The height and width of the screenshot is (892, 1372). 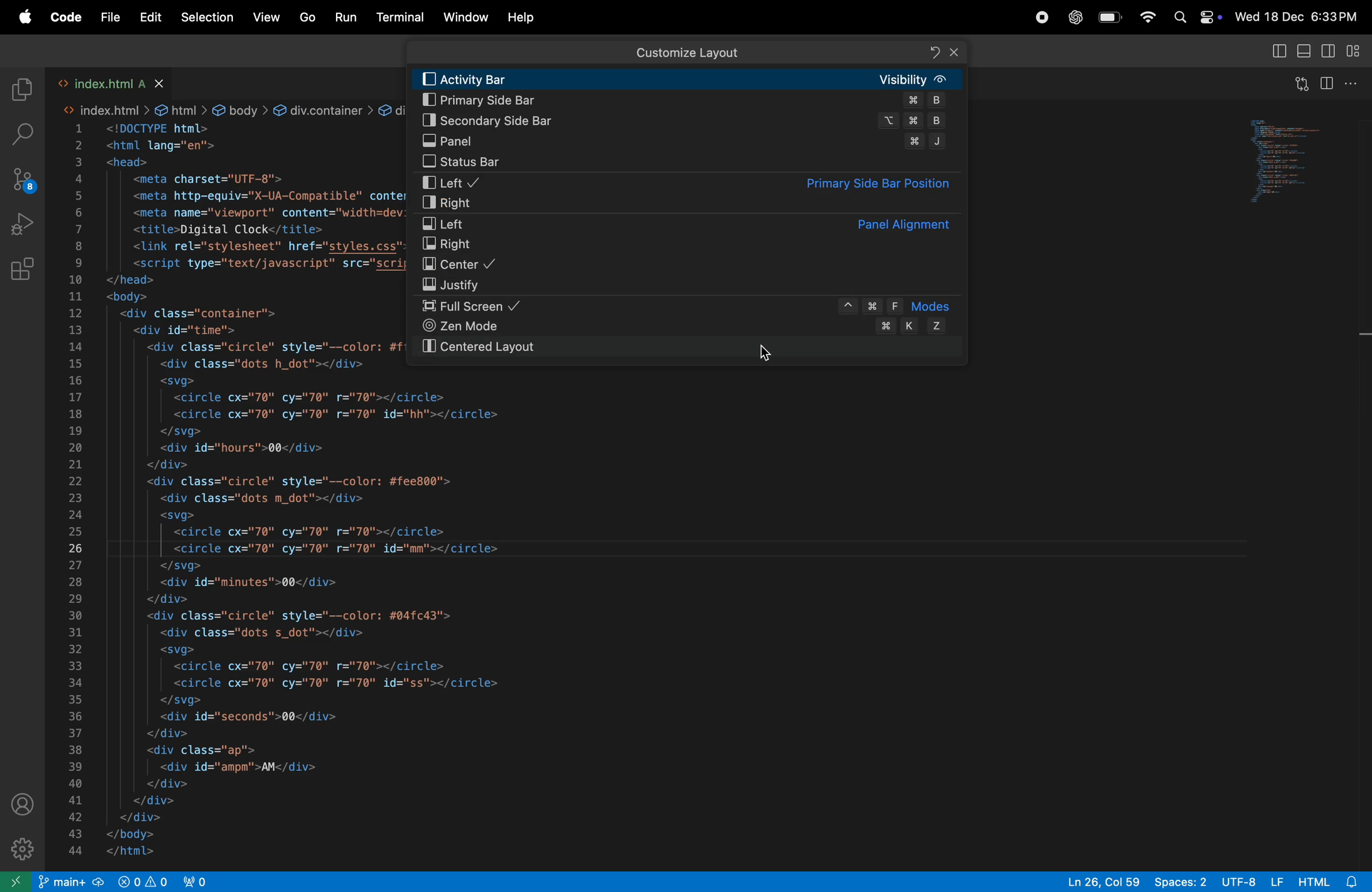 I want to click on run and debug, so click(x=22, y=224).